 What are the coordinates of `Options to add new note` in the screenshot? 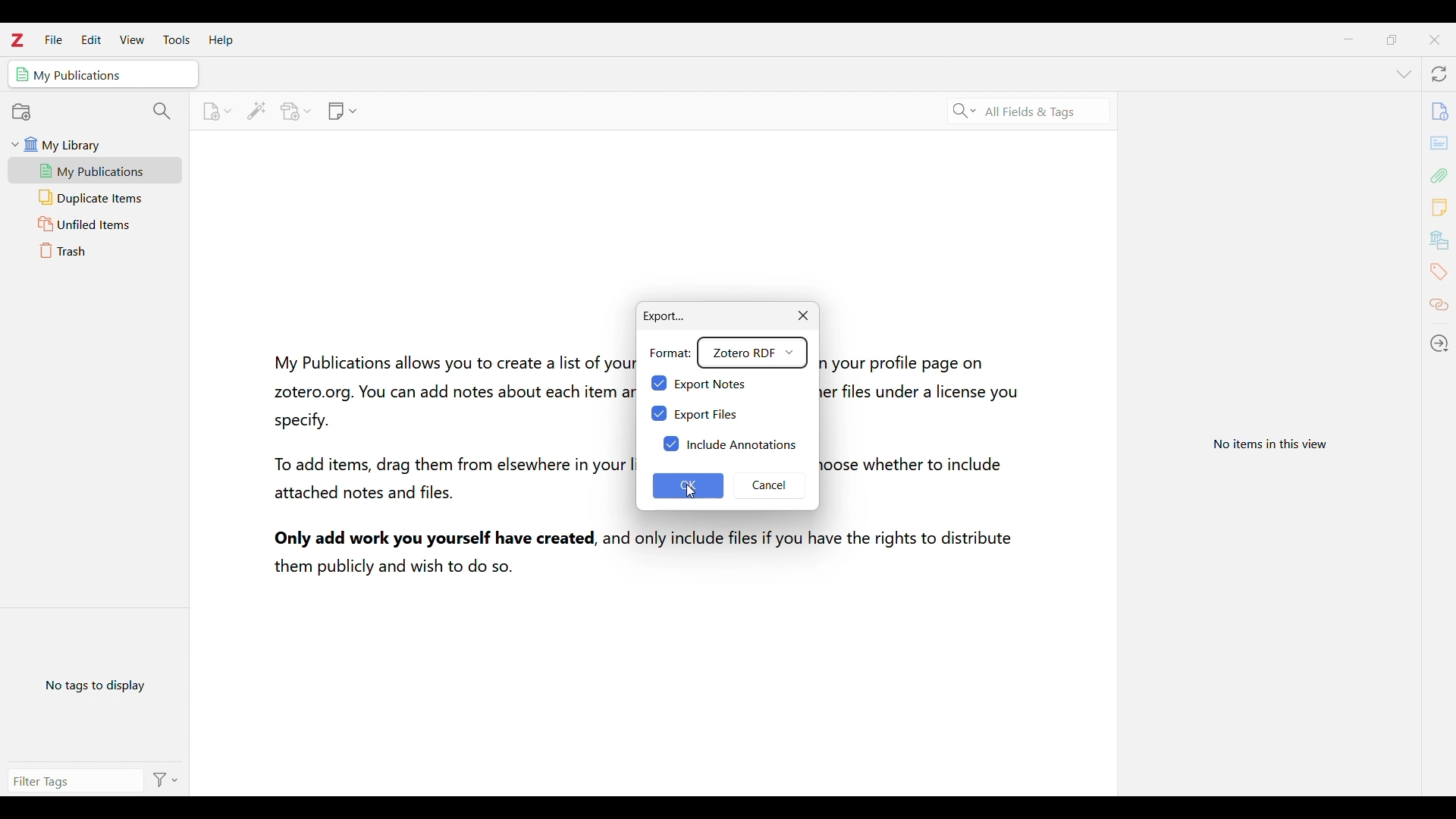 It's located at (343, 111).